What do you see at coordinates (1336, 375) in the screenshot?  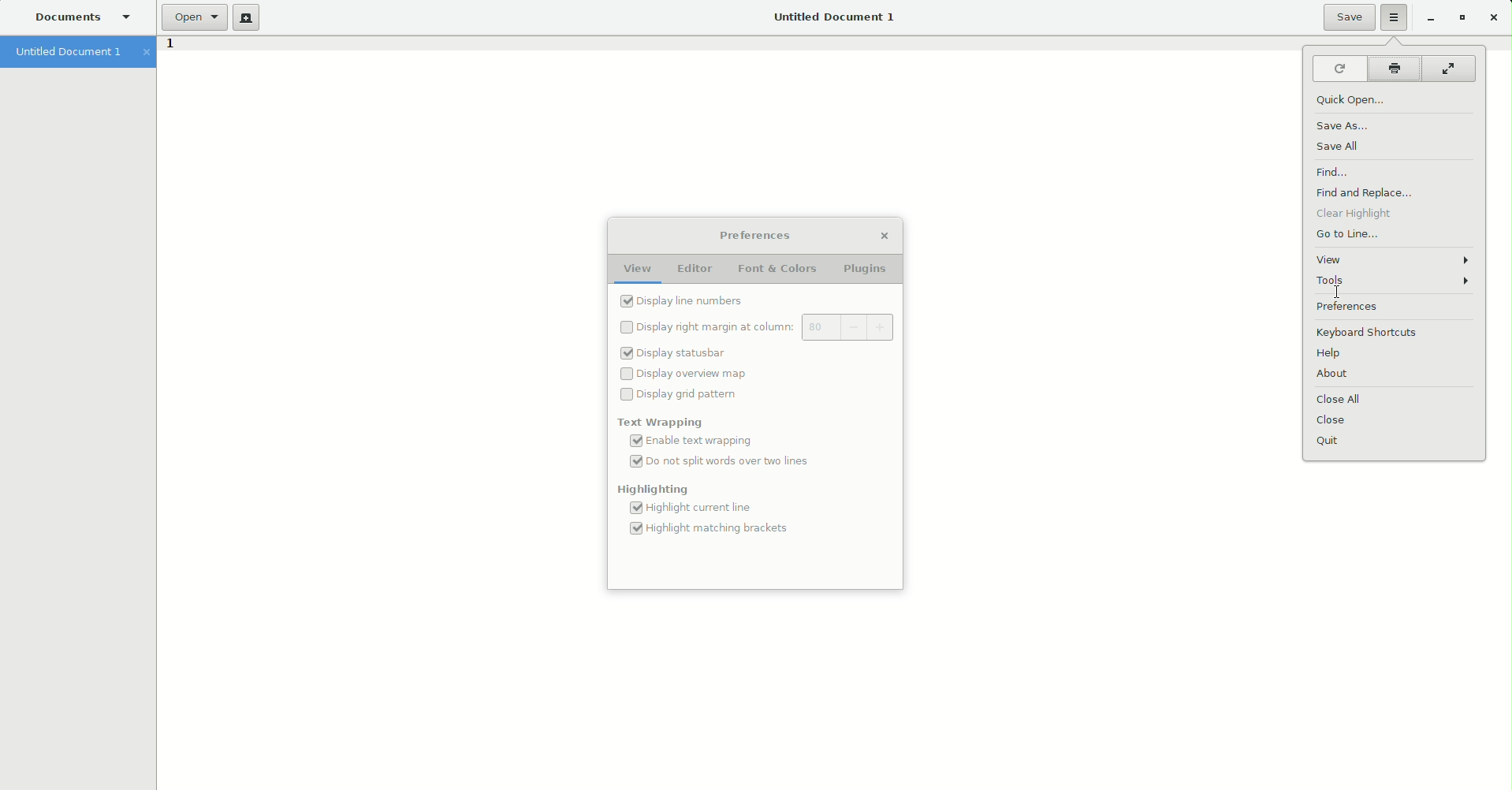 I see `About` at bounding box center [1336, 375].